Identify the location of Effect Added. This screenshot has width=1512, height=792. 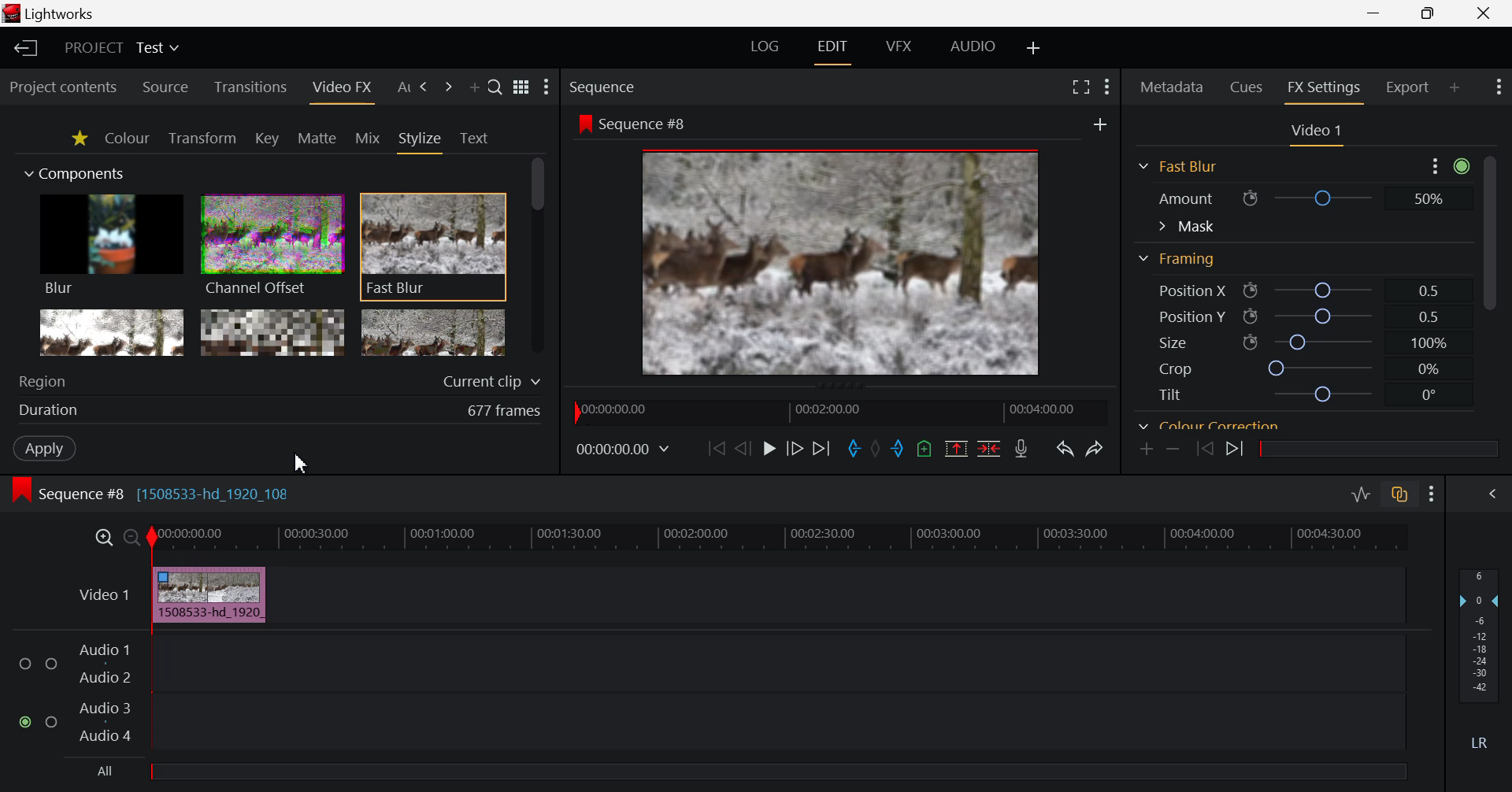
(208, 594).